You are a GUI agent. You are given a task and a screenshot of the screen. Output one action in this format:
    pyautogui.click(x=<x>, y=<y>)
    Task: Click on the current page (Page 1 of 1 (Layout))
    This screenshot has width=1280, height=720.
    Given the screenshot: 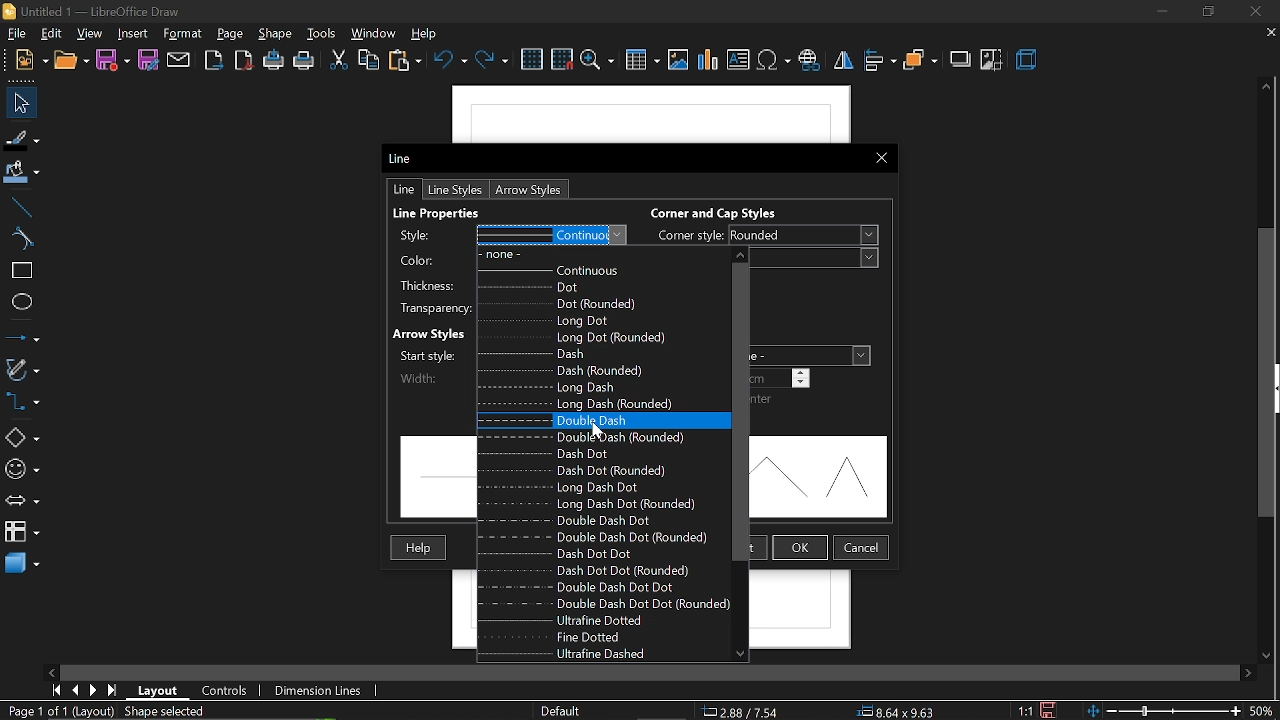 What is the action you would take?
    pyautogui.click(x=58, y=712)
    